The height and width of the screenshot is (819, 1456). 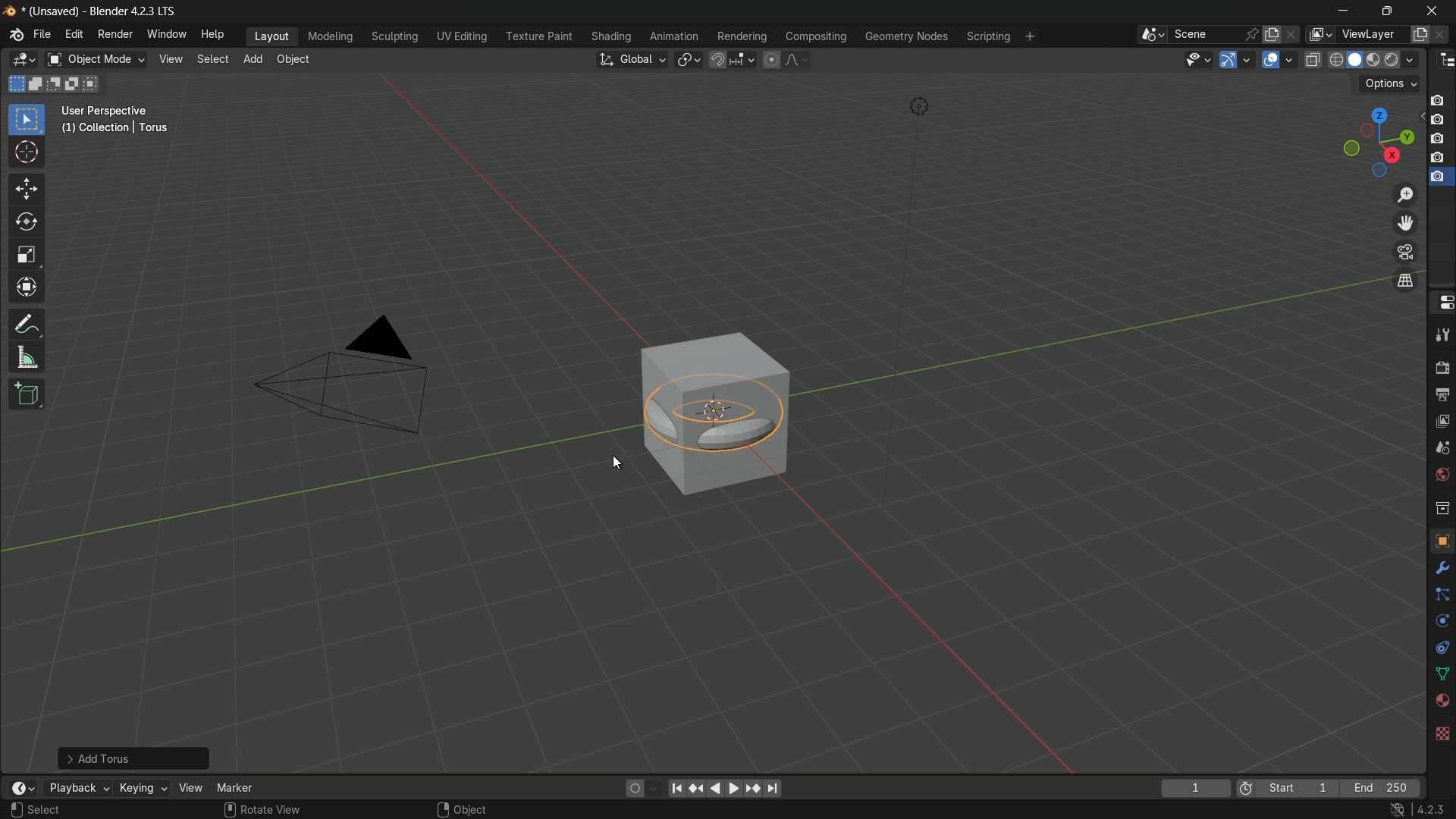 What do you see at coordinates (1302, 789) in the screenshot?
I see `Start 1` at bounding box center [1302, 789].